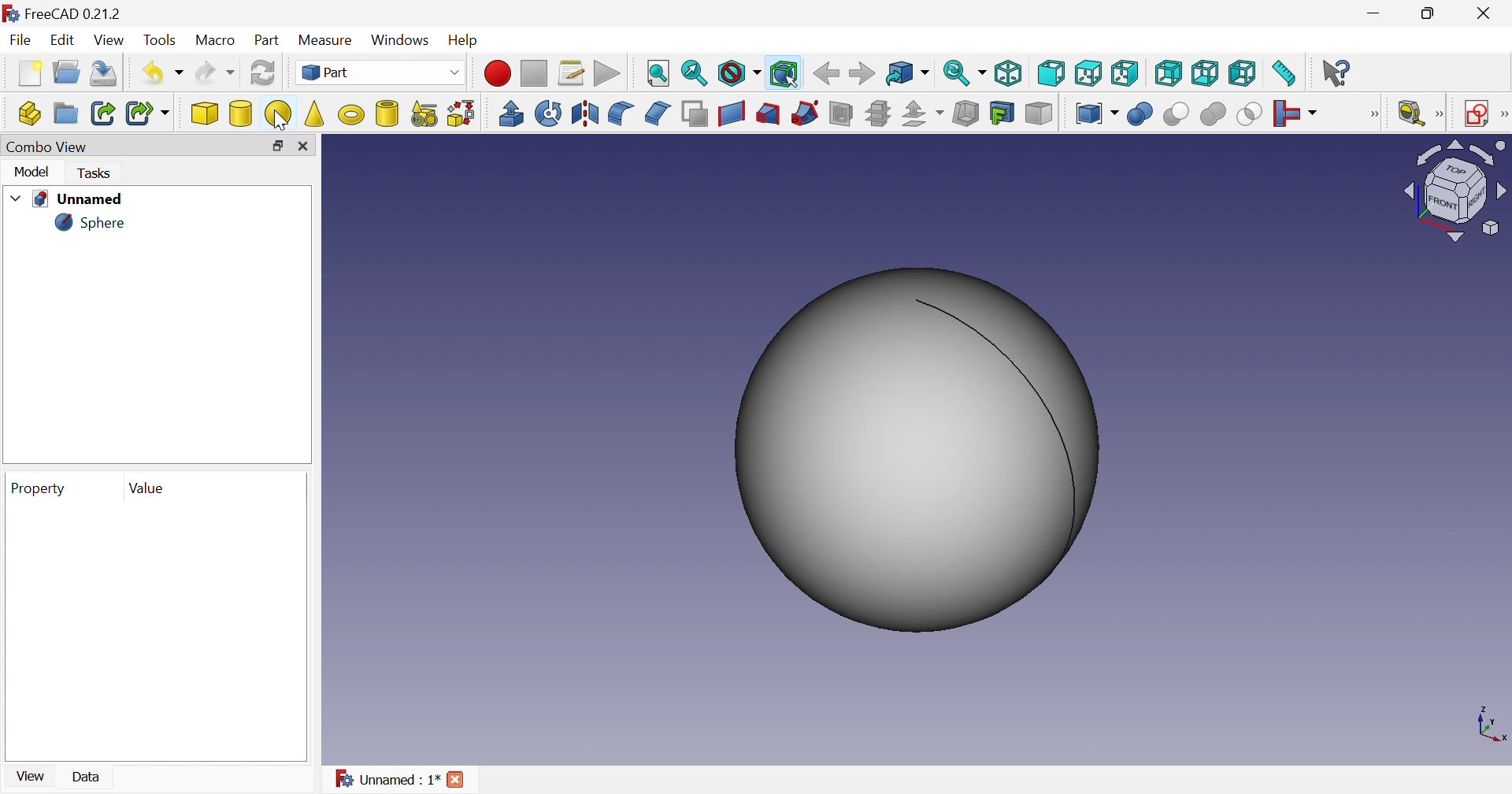 The width and height of the screenshot is (1512, 794). I want to click on Save, so click(105, 74).